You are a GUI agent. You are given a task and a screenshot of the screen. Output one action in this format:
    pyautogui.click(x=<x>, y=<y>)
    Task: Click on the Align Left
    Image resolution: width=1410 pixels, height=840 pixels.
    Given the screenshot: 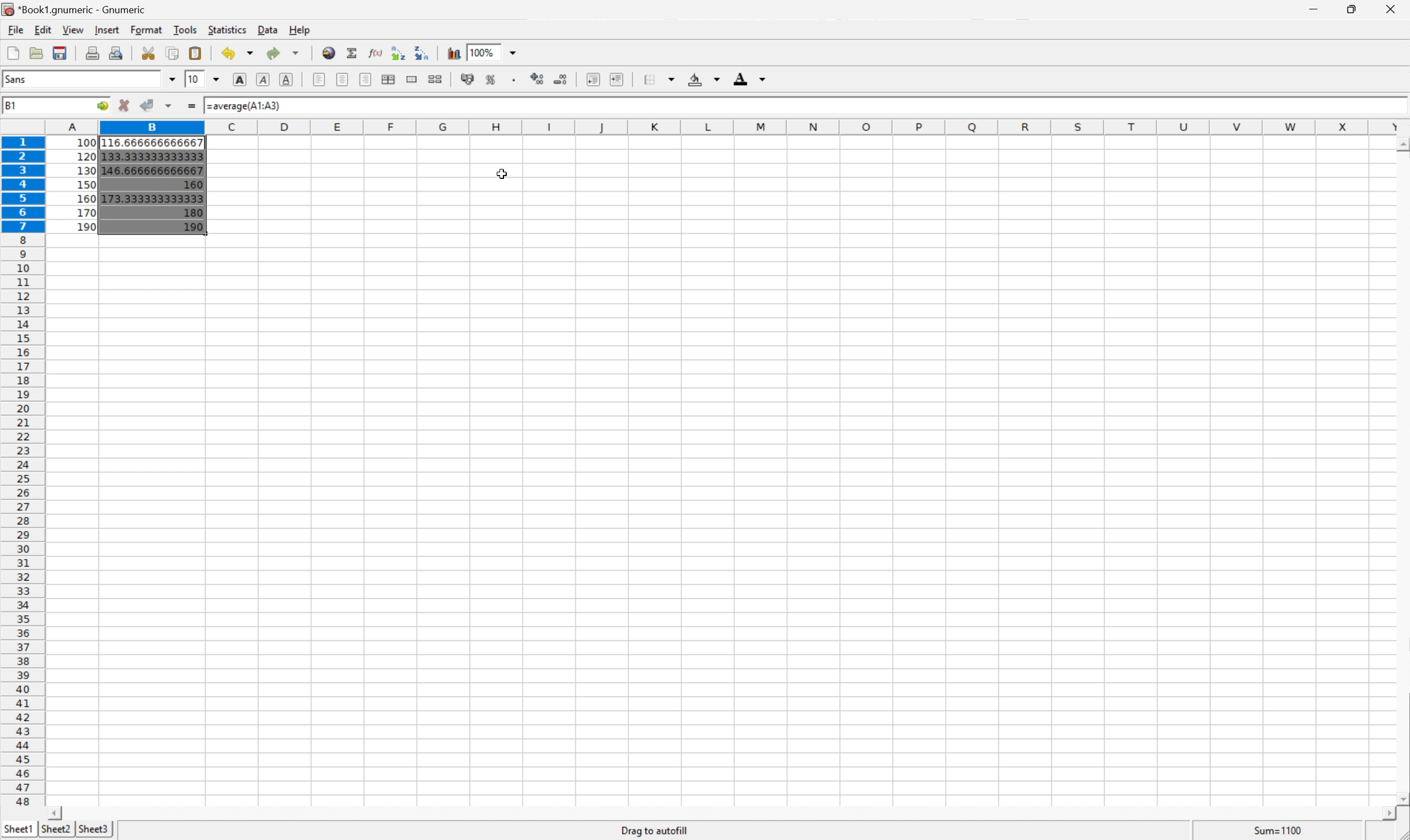 What is the action you would take?
    pyautogui.click(x=318, y=79)
    